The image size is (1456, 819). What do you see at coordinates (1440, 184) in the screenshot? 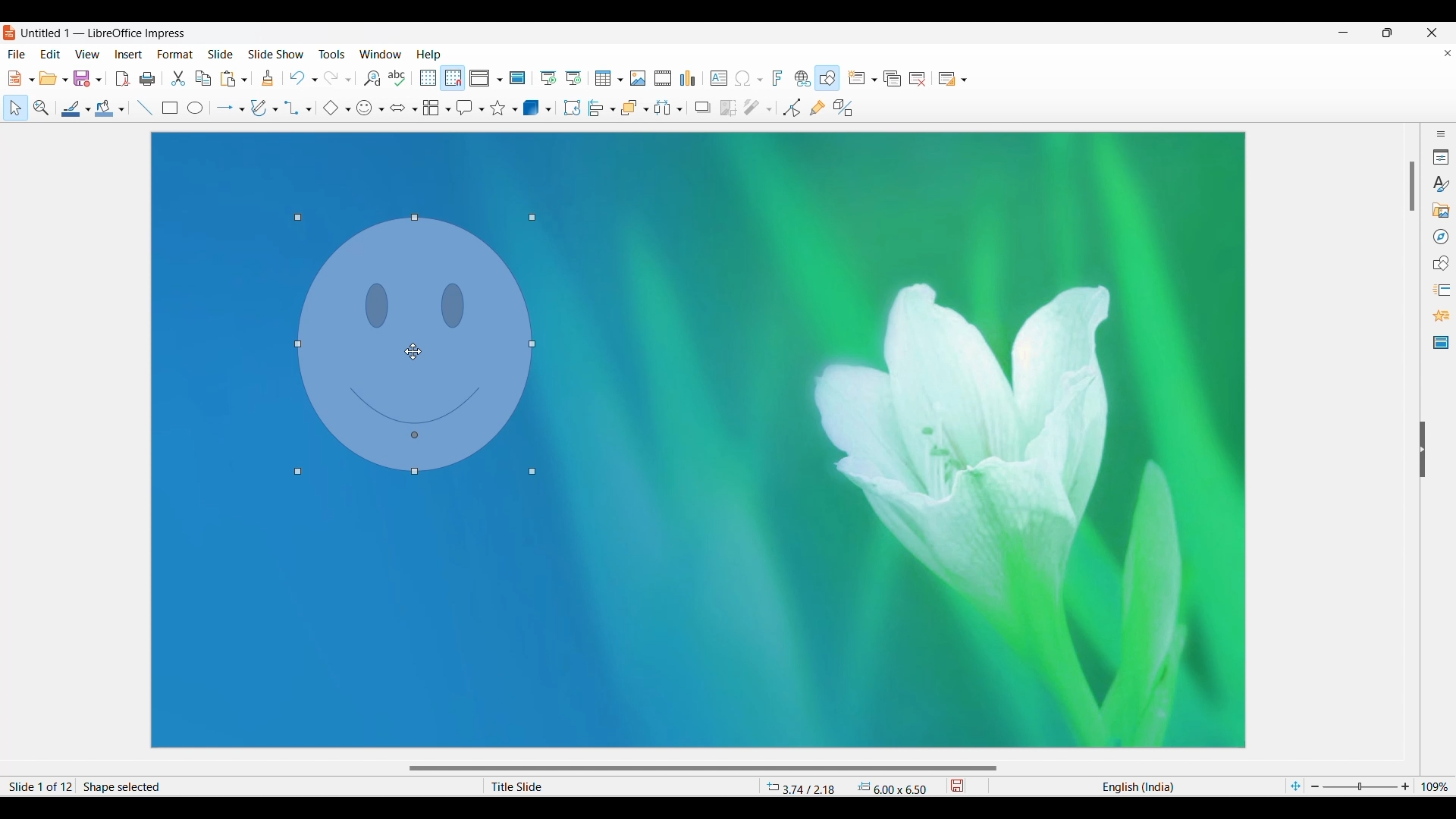
I see `Styles` at bounding box center [1440, 184].